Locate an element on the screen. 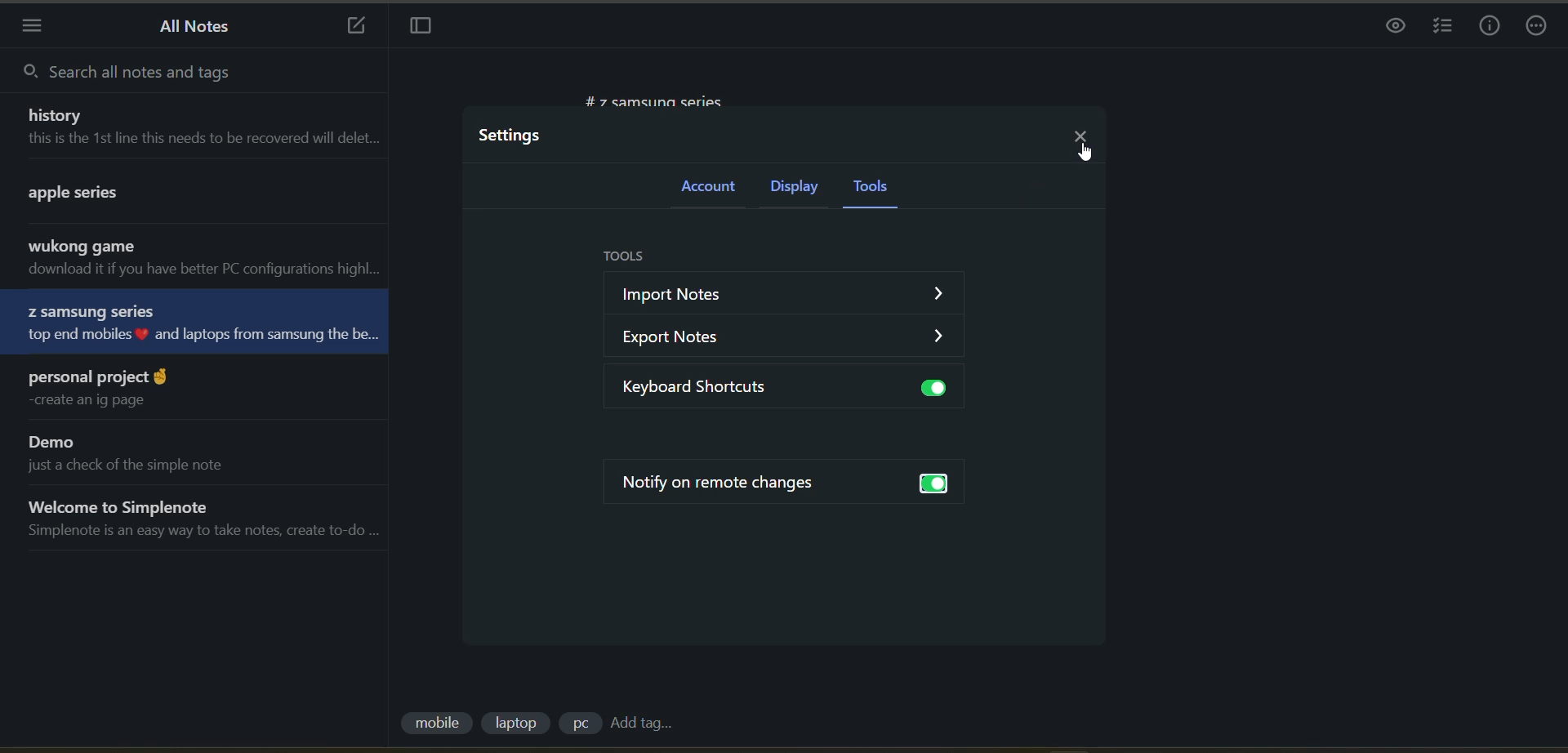 This screenshot has width=1568, height=753. all notes is located at coordinates (203, 27).